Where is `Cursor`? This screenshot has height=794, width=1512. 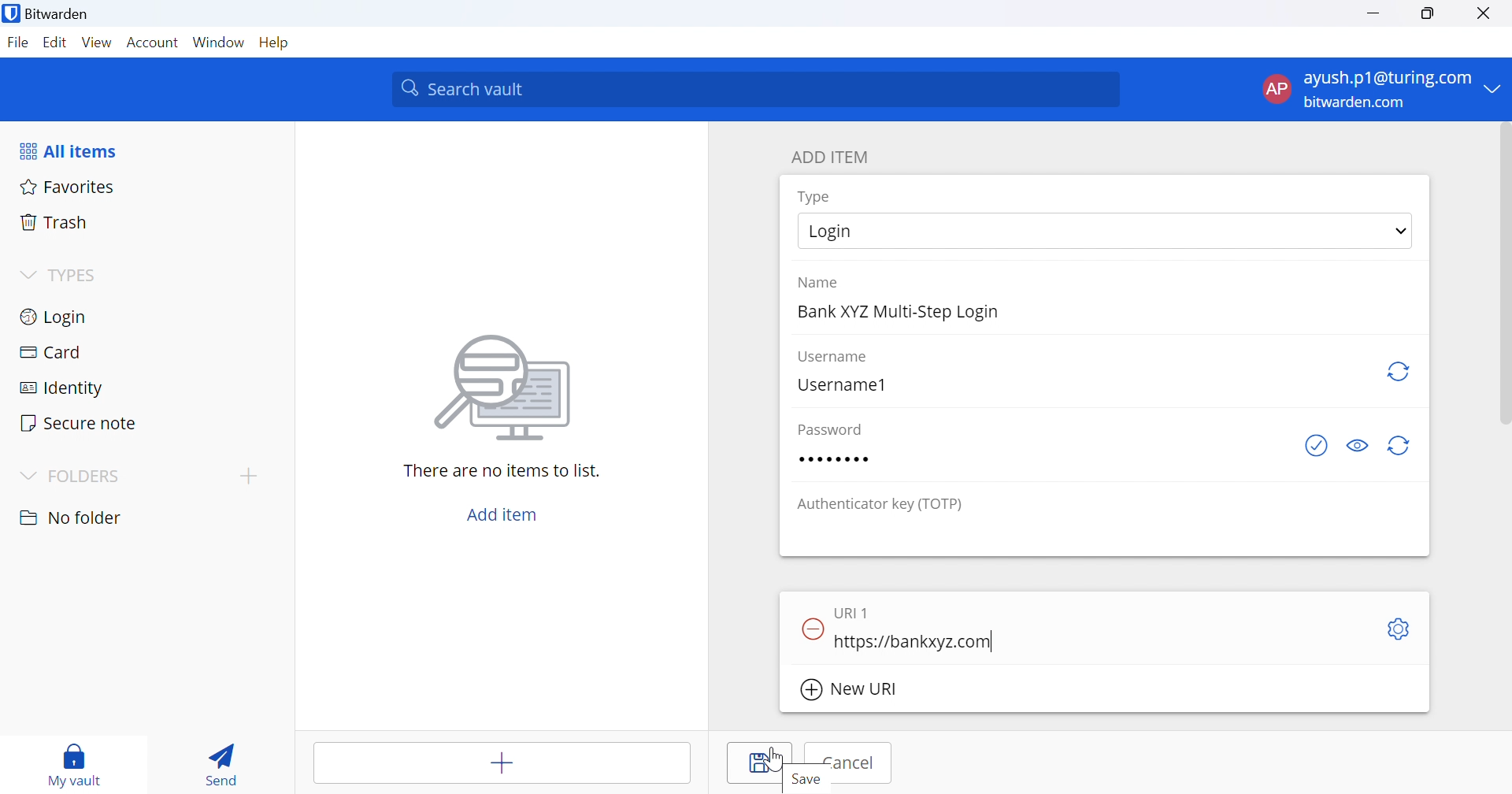
Cursor is located at coordinates (773, 759).